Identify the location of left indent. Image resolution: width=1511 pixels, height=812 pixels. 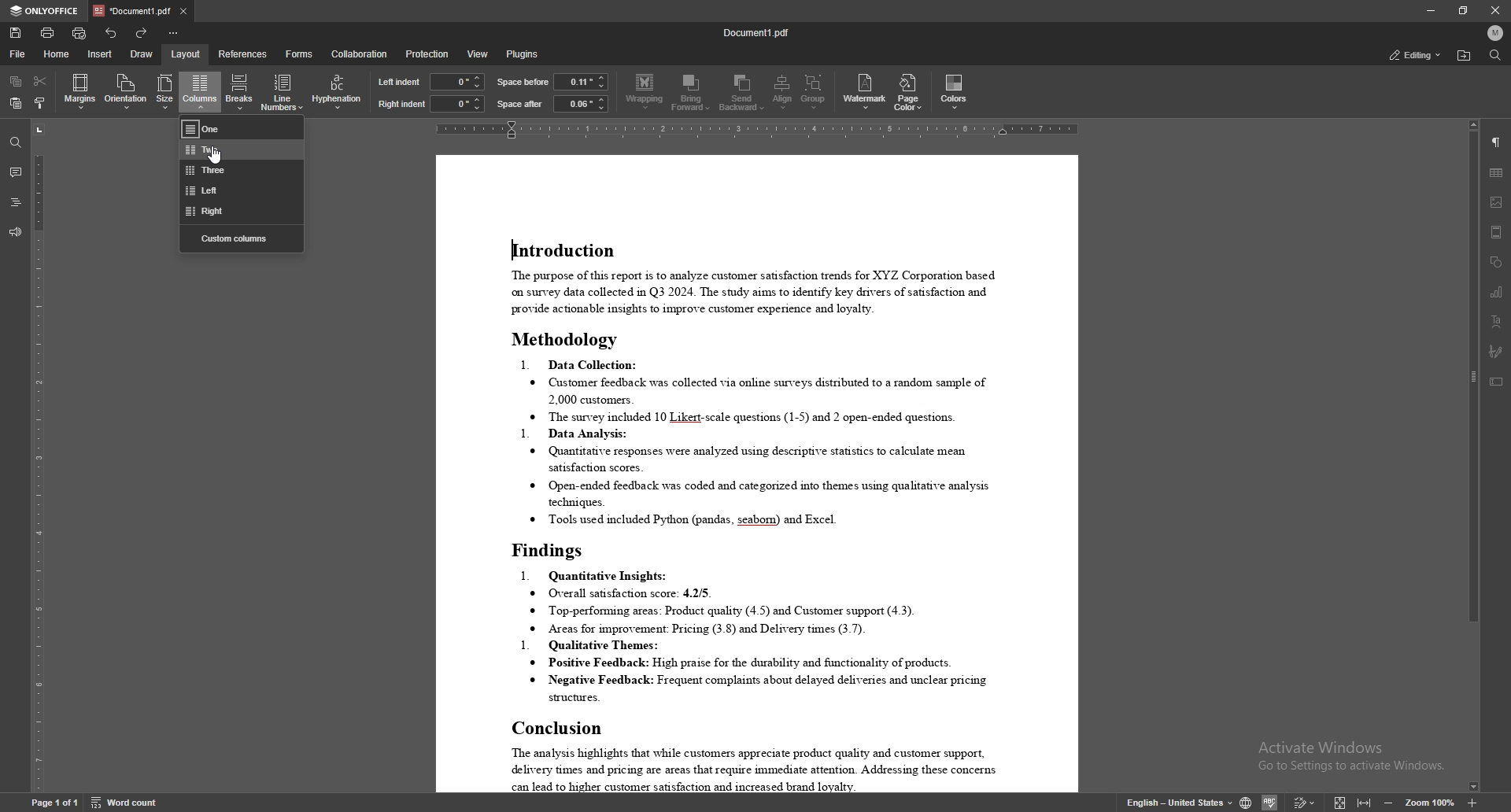
(400, 81).